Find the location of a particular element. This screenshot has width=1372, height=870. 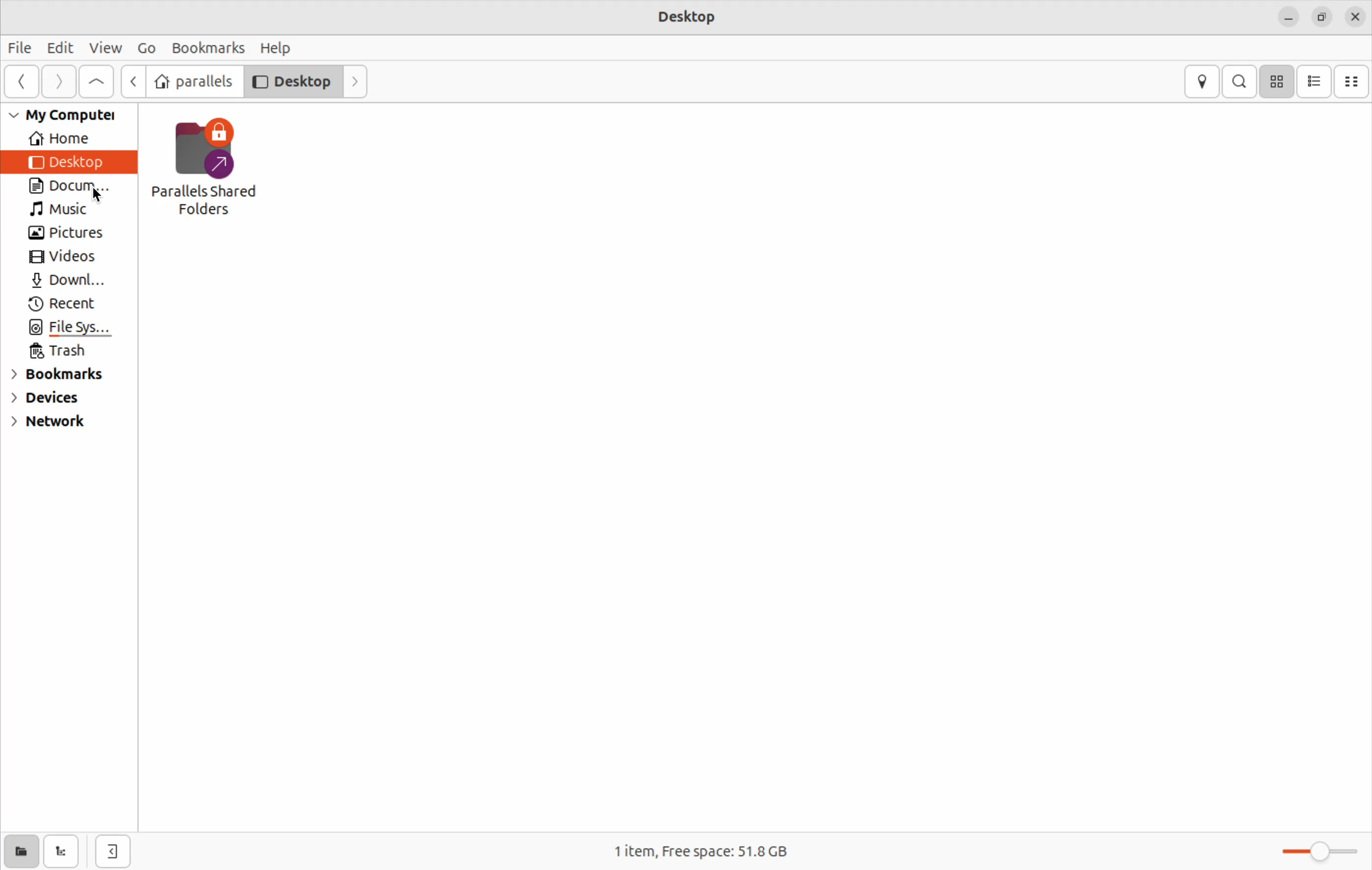

forward is located at coordinates (58, 81).